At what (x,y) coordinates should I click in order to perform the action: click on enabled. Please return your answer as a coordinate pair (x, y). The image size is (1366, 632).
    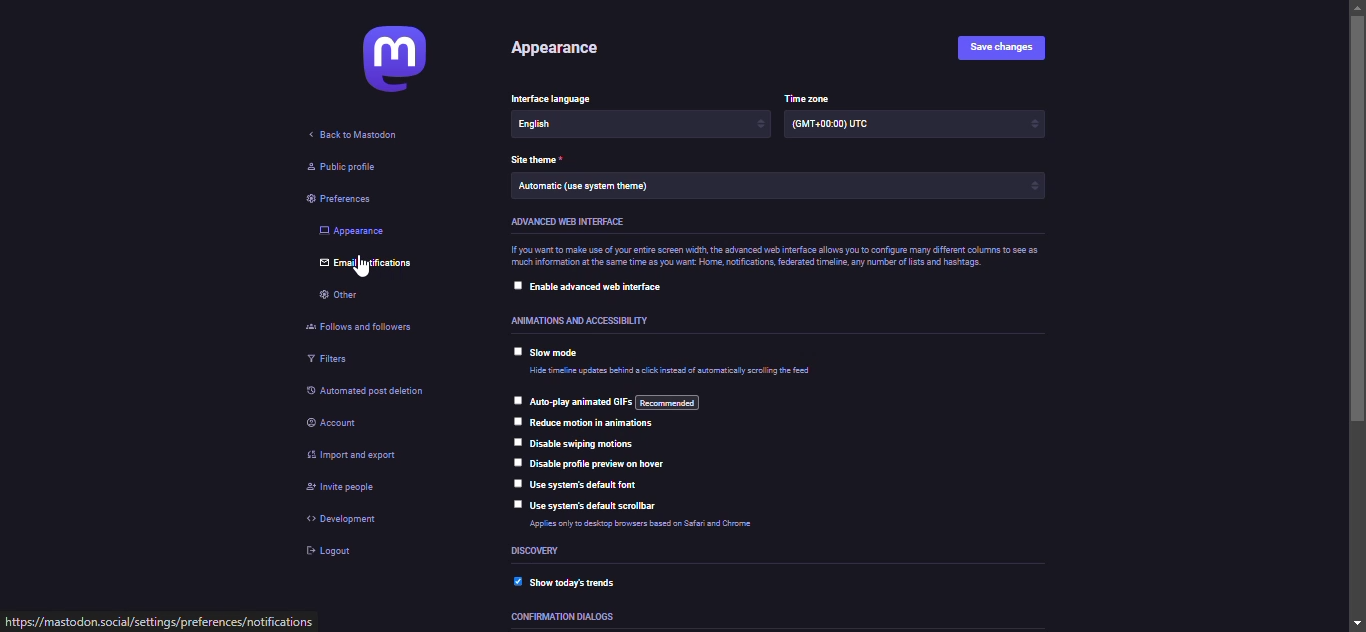
    Looking at the image, I should click on (512, 582).